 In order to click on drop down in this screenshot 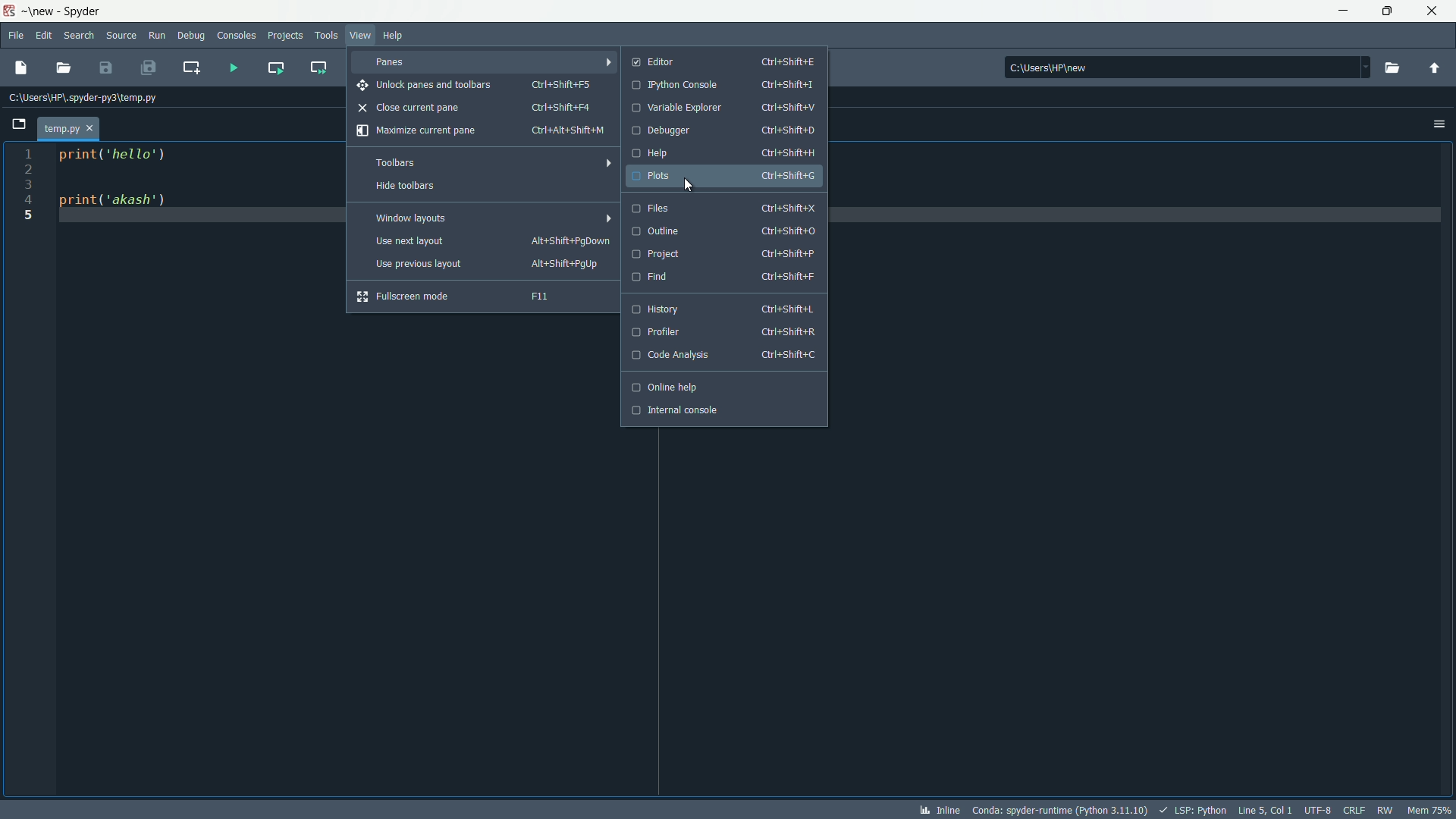, I will do `click(1363, 66)`.